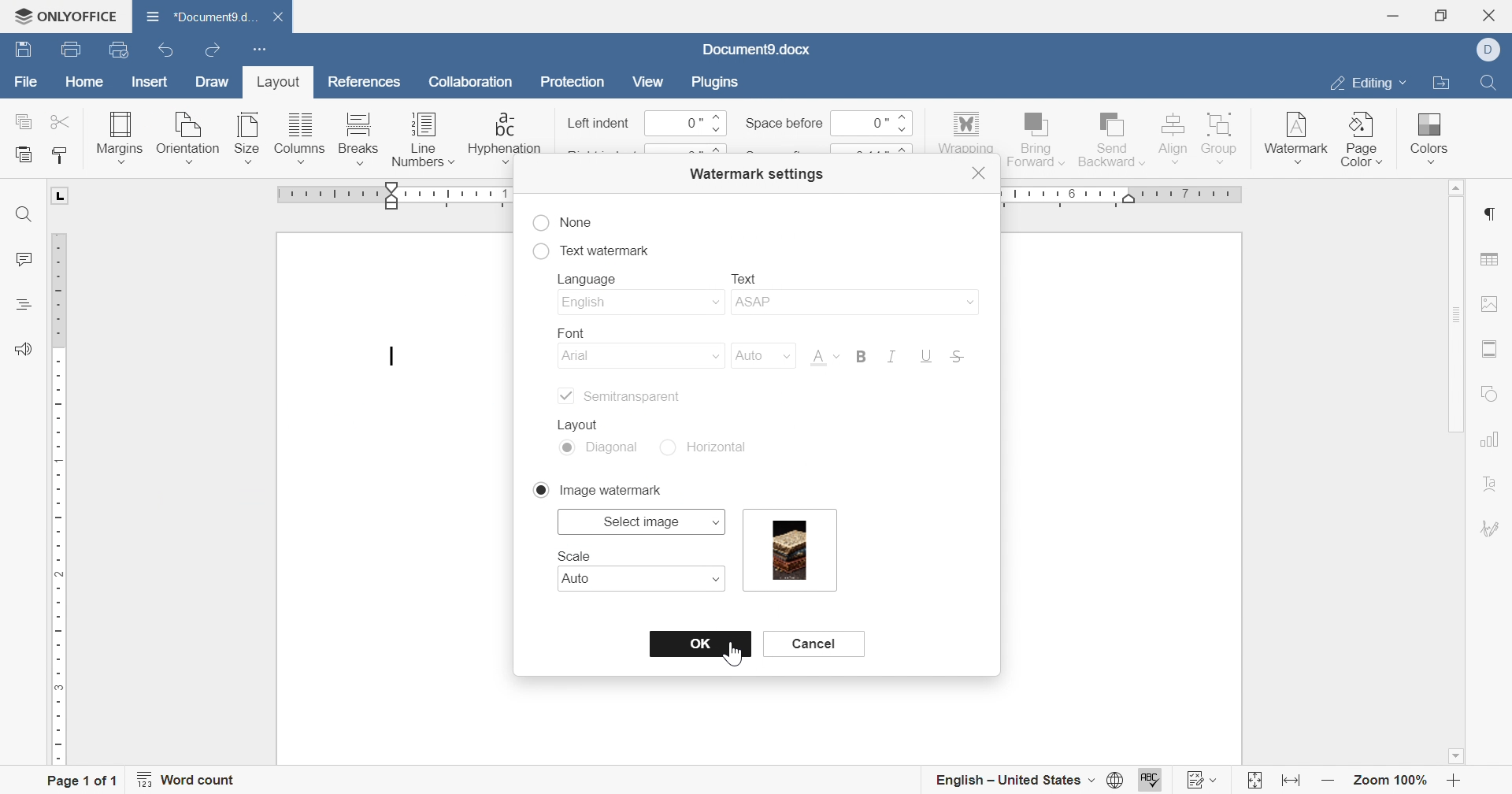  Describe the element at coordinates (23, 350) in the screenshot. I see `feedback and support` at that location.